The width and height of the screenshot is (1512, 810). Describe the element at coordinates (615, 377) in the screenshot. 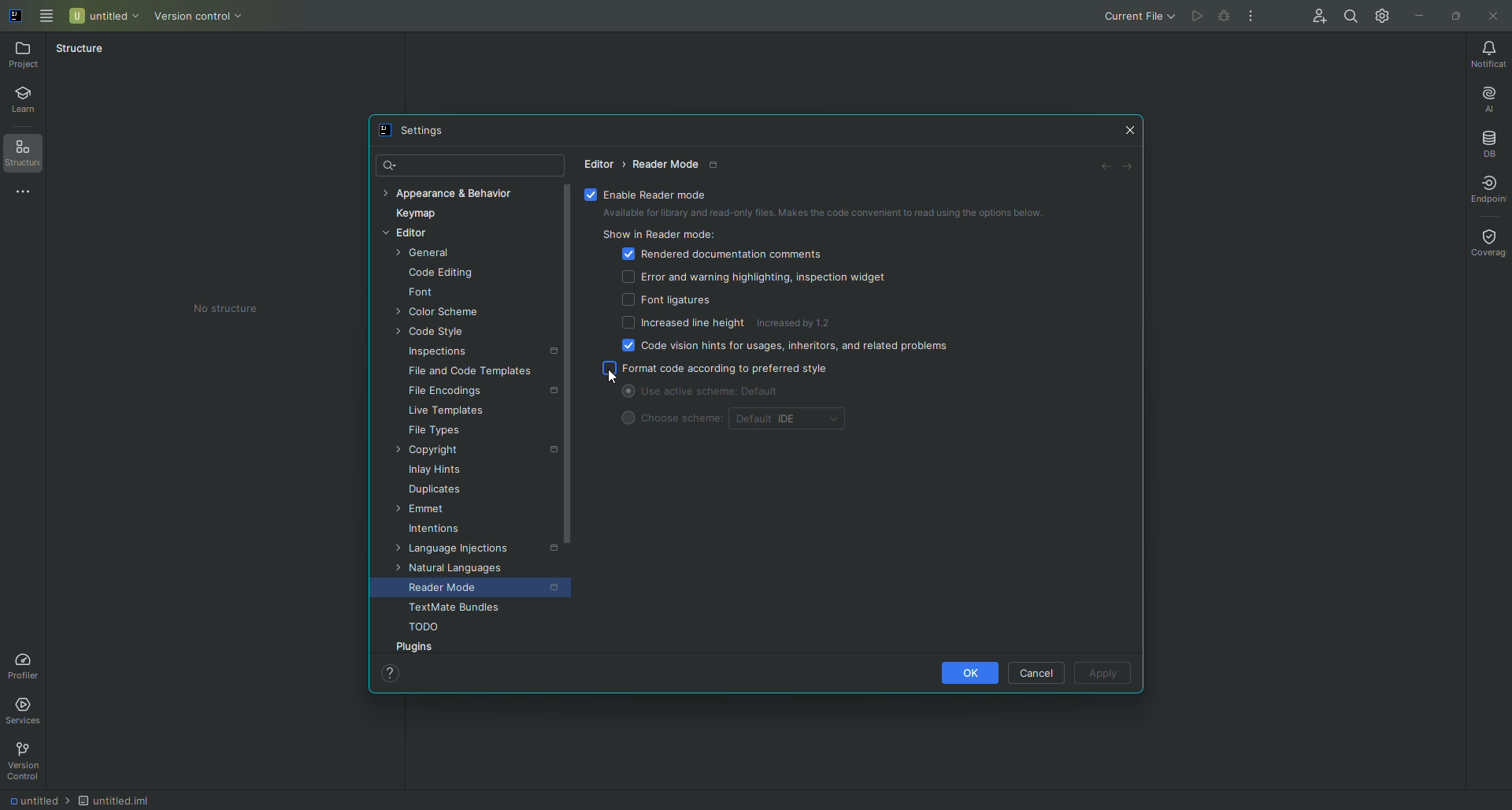

I see `cursor` at that location.